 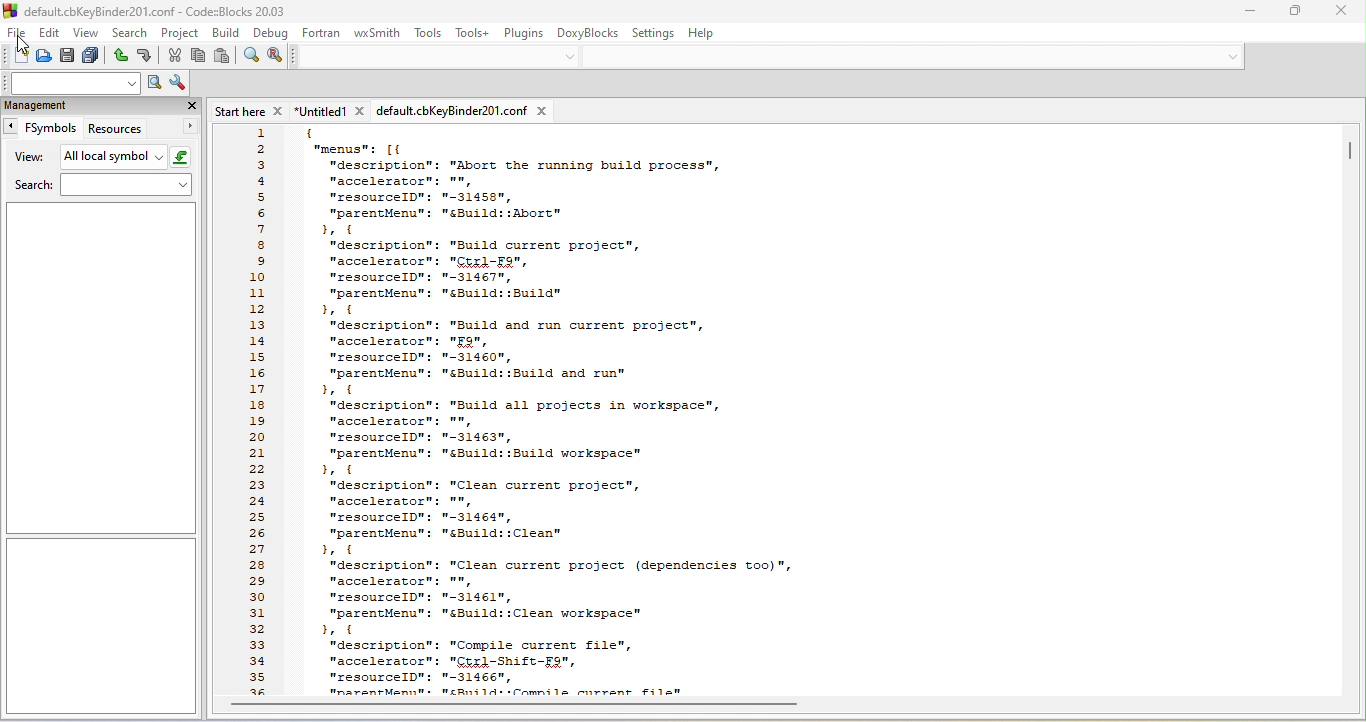 I want to click on logo, so click(x=10, y=11).